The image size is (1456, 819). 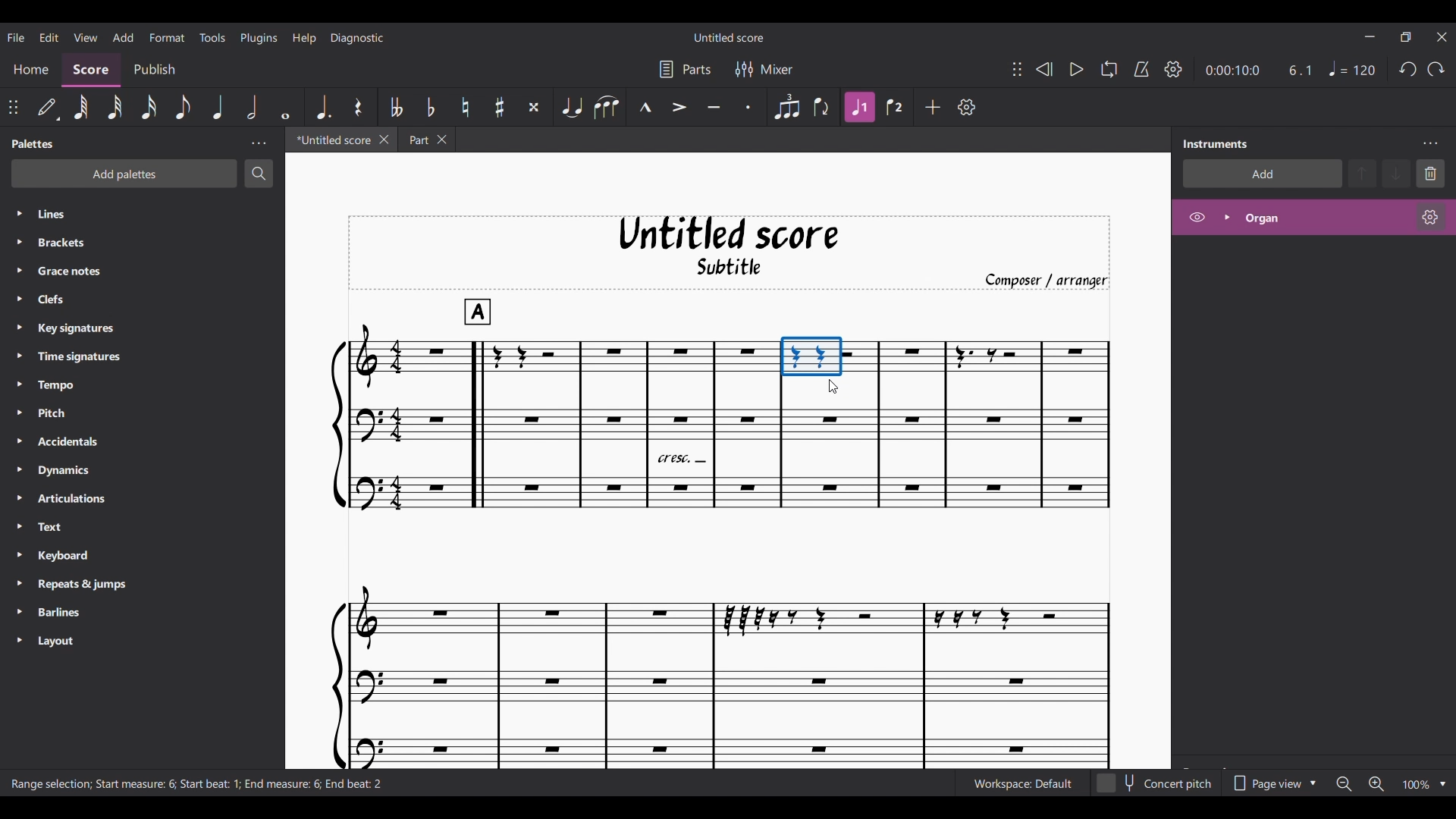 What do you see at coordinates (1142, 70) in the screenshot?
I see `Metronome` at bounding box center [1142, 70].